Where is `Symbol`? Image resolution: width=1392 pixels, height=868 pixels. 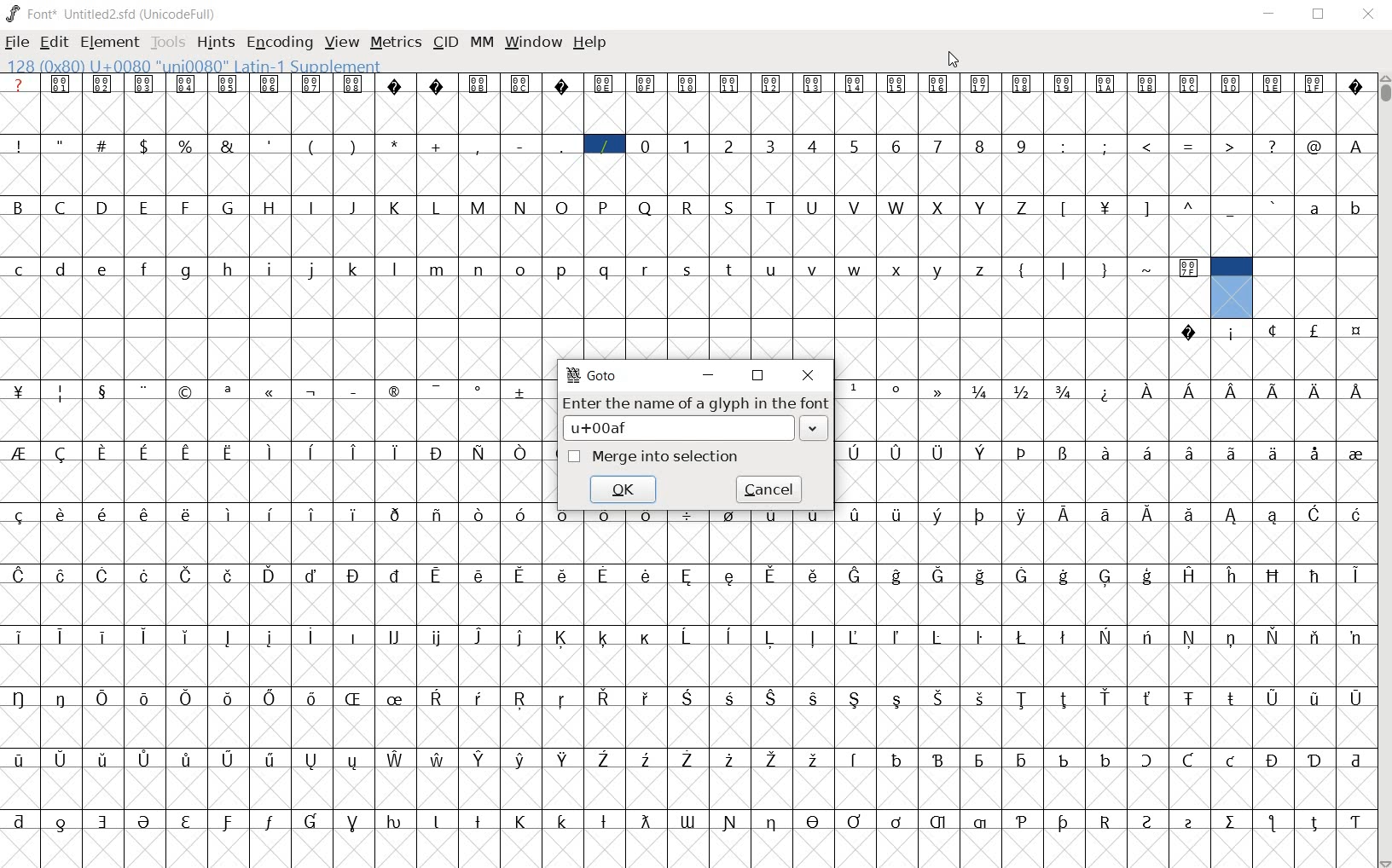
Symbol is located at coordinates (188, 452).